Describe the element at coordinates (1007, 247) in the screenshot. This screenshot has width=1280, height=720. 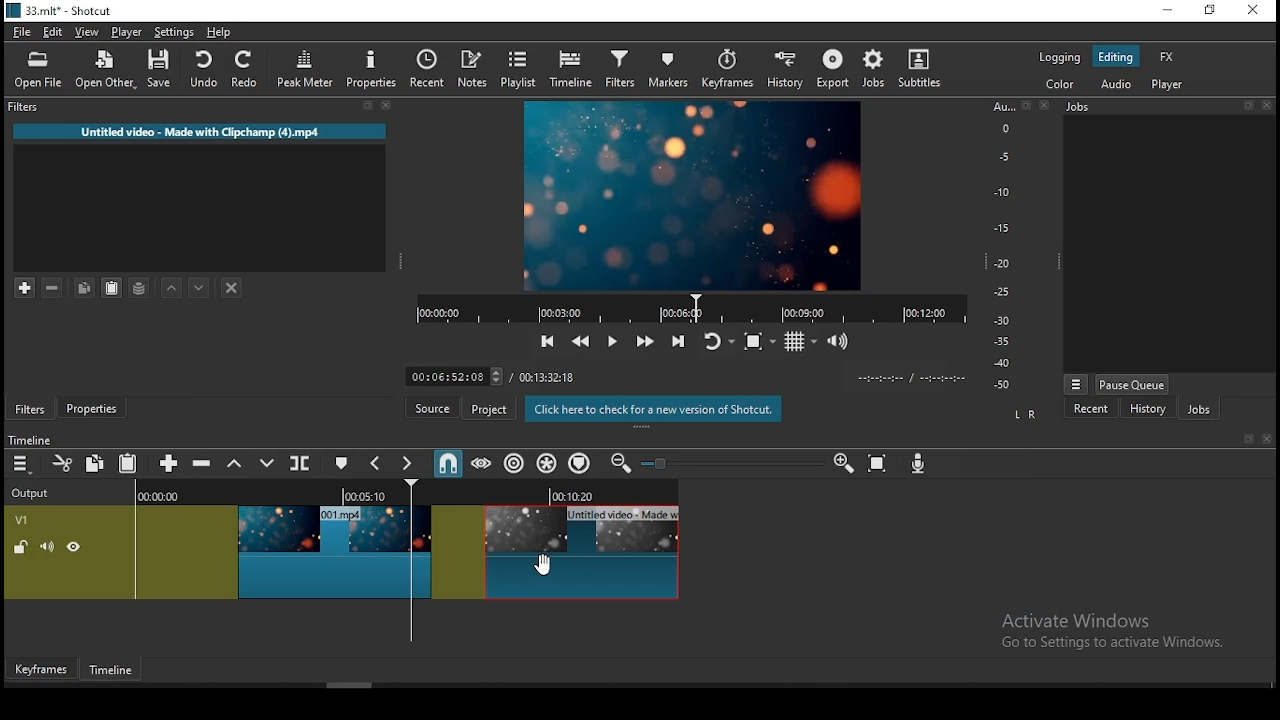
I see `scale` at that location.